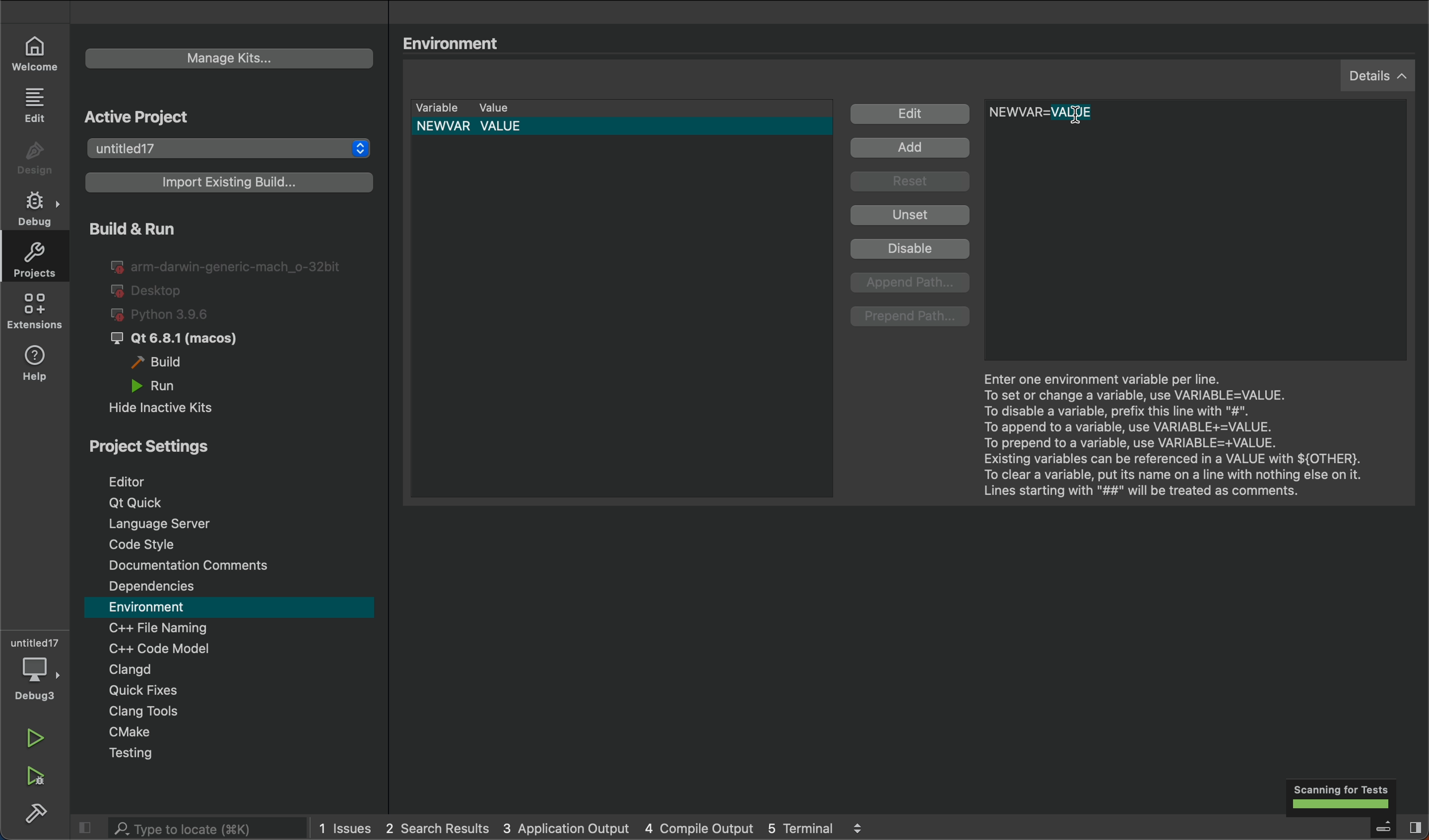 This screenshot has width=1429, height=840. Describe the element at coordinates (175, 315) in the screenshot. I see `python 3.96` at that location.